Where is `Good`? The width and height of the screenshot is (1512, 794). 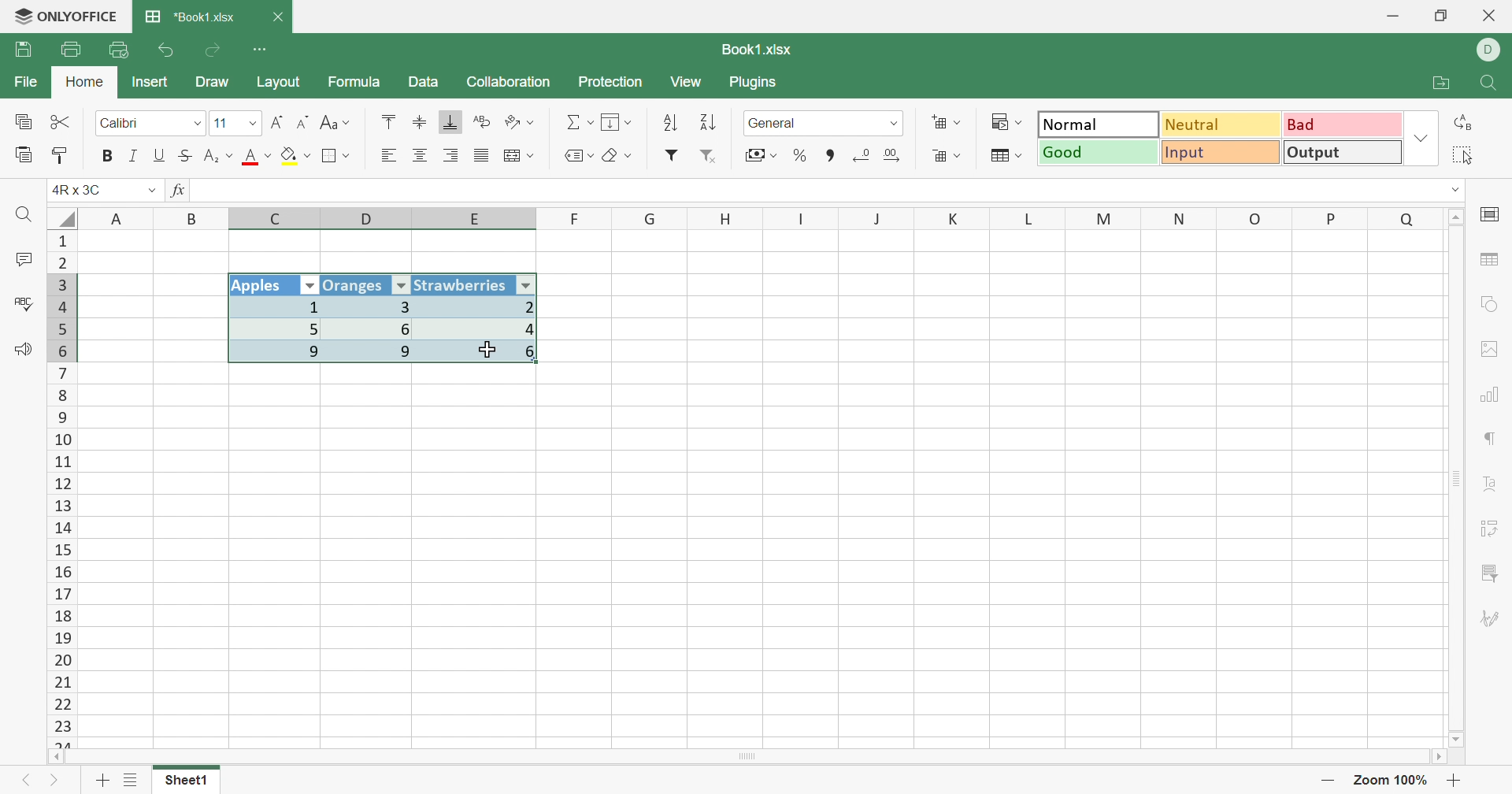
Good is located at coordinates (1099, 153).